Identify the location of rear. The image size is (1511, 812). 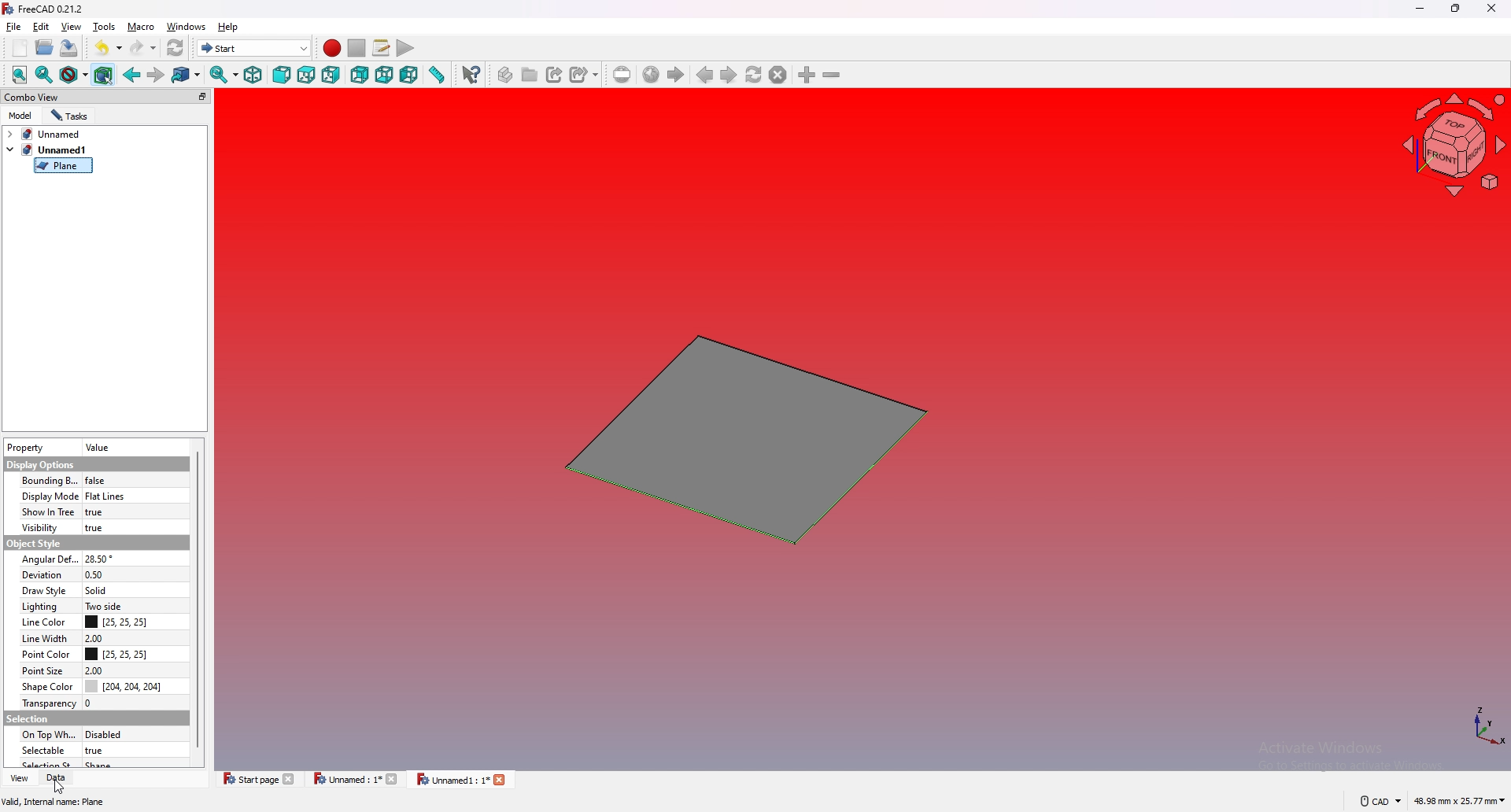
(360, 76).